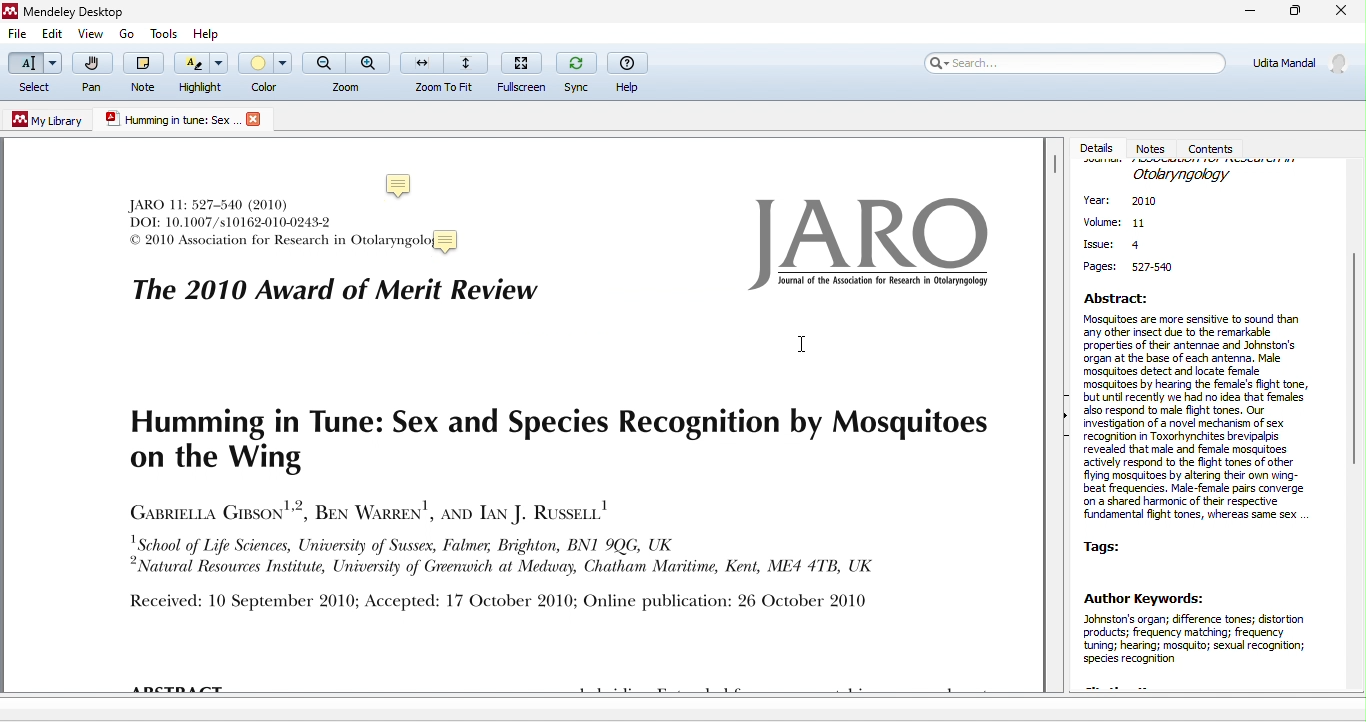  Describe the element at coordinates (1215, 147) in the screenshot. I see `contents` at that location.